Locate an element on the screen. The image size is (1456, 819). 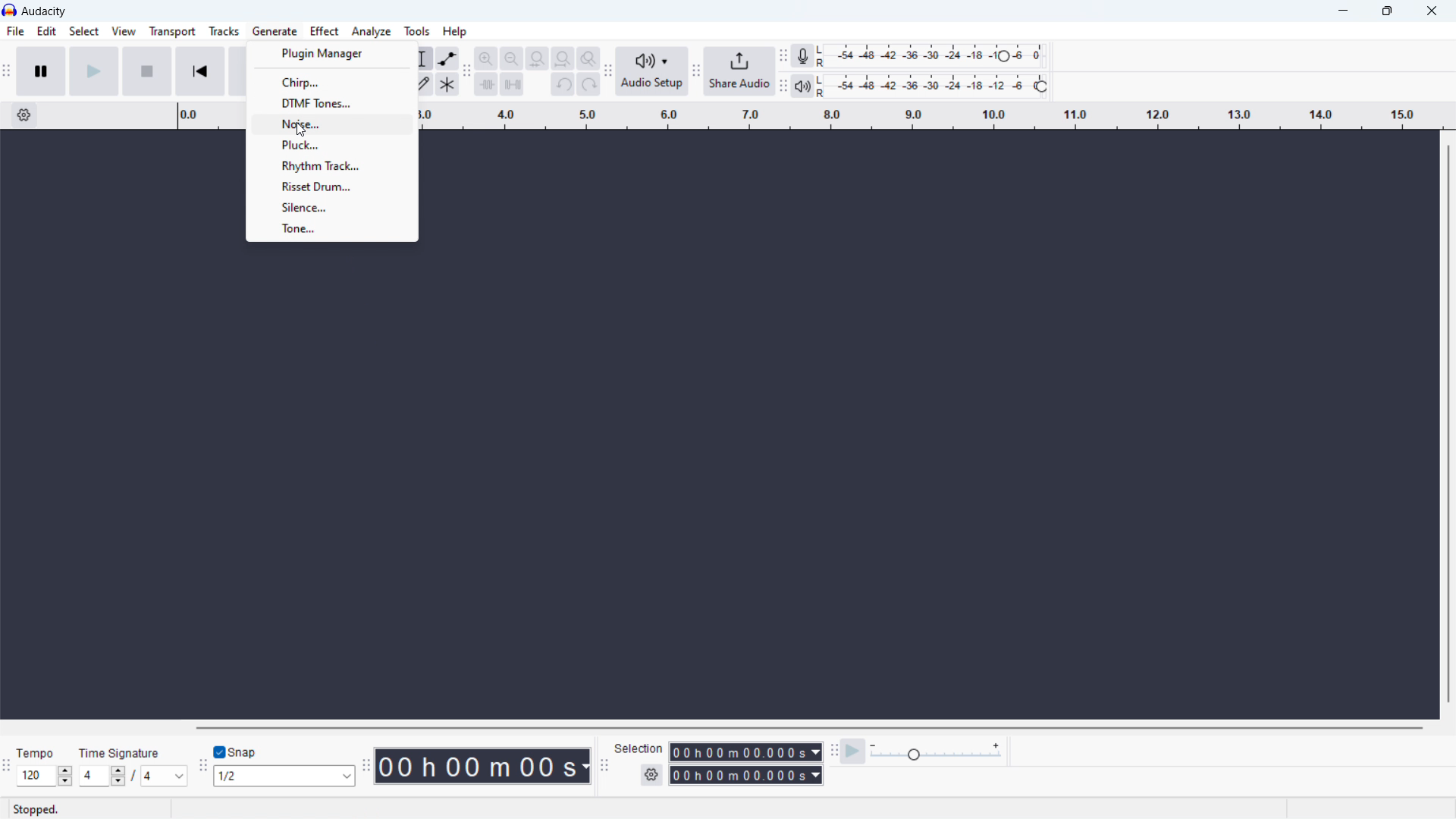
generate is located at coordinates (275, 31).